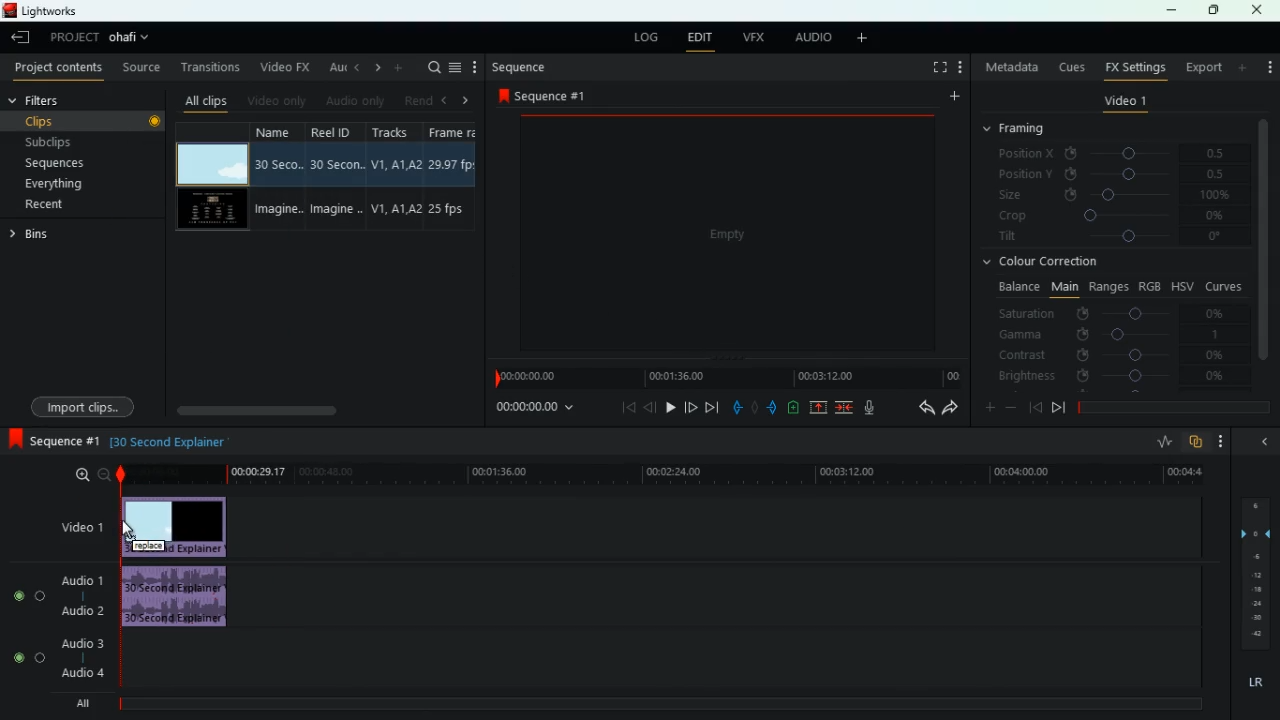  Describe the element at coordinates (1012, 67) in the screenshot. I see `metadata` at that location.